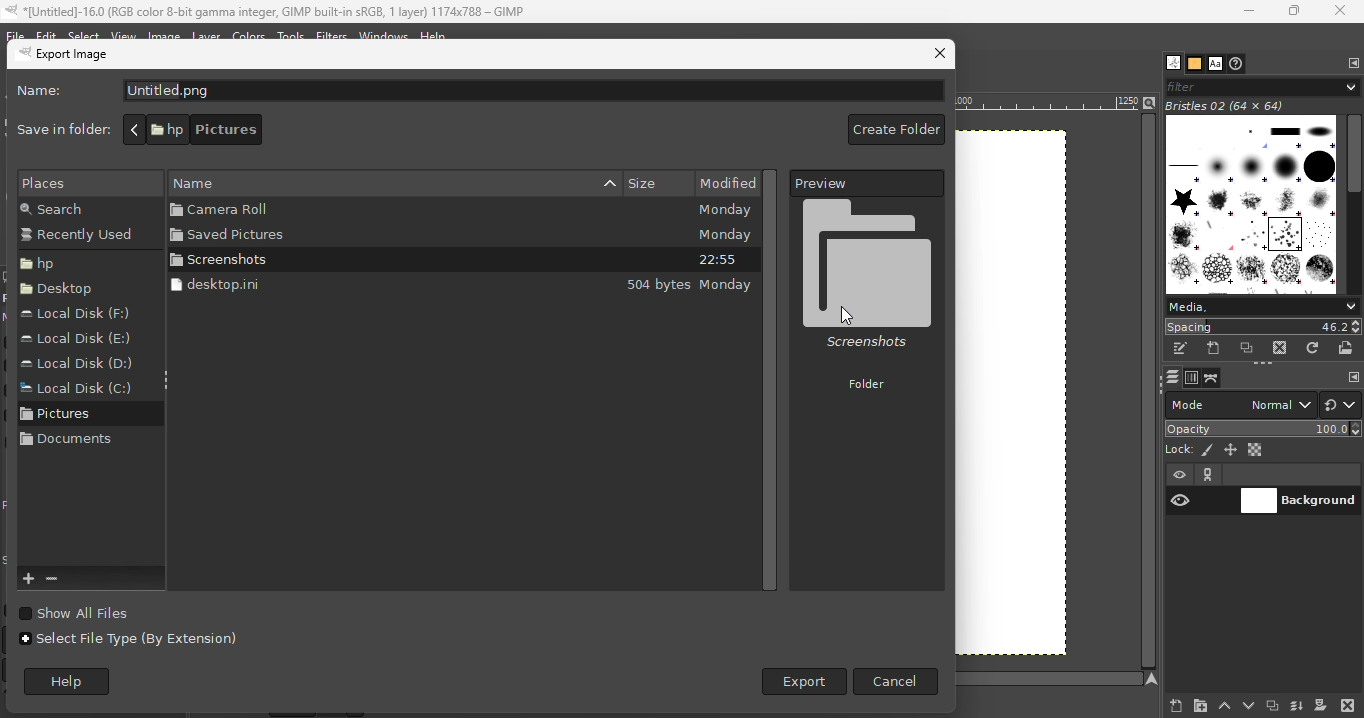 This screenshot has height=718, width=1364. I want to click on Pixels, so click(81, 182).